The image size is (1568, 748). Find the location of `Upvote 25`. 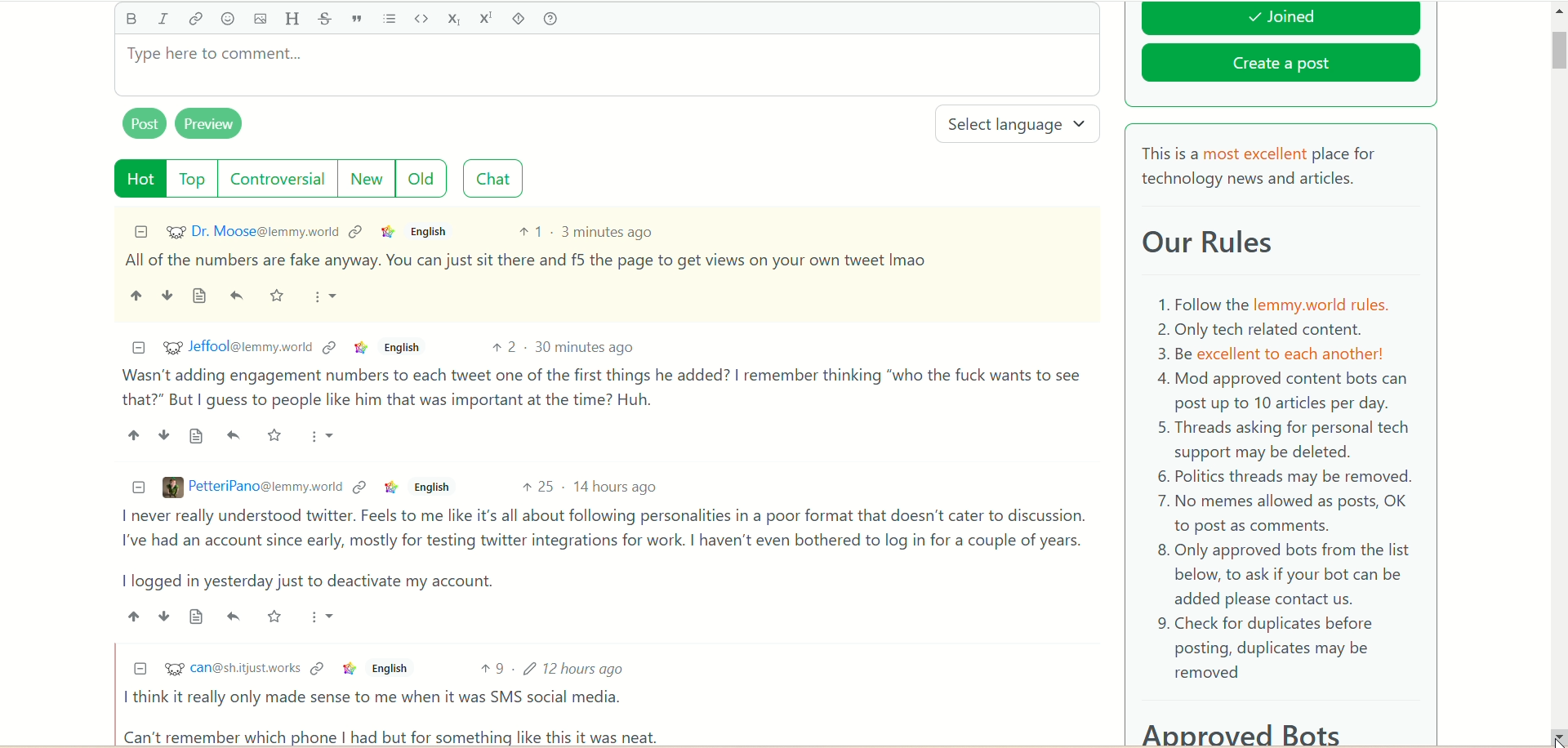

Upvote 25 is located at coordinates (537, 486).